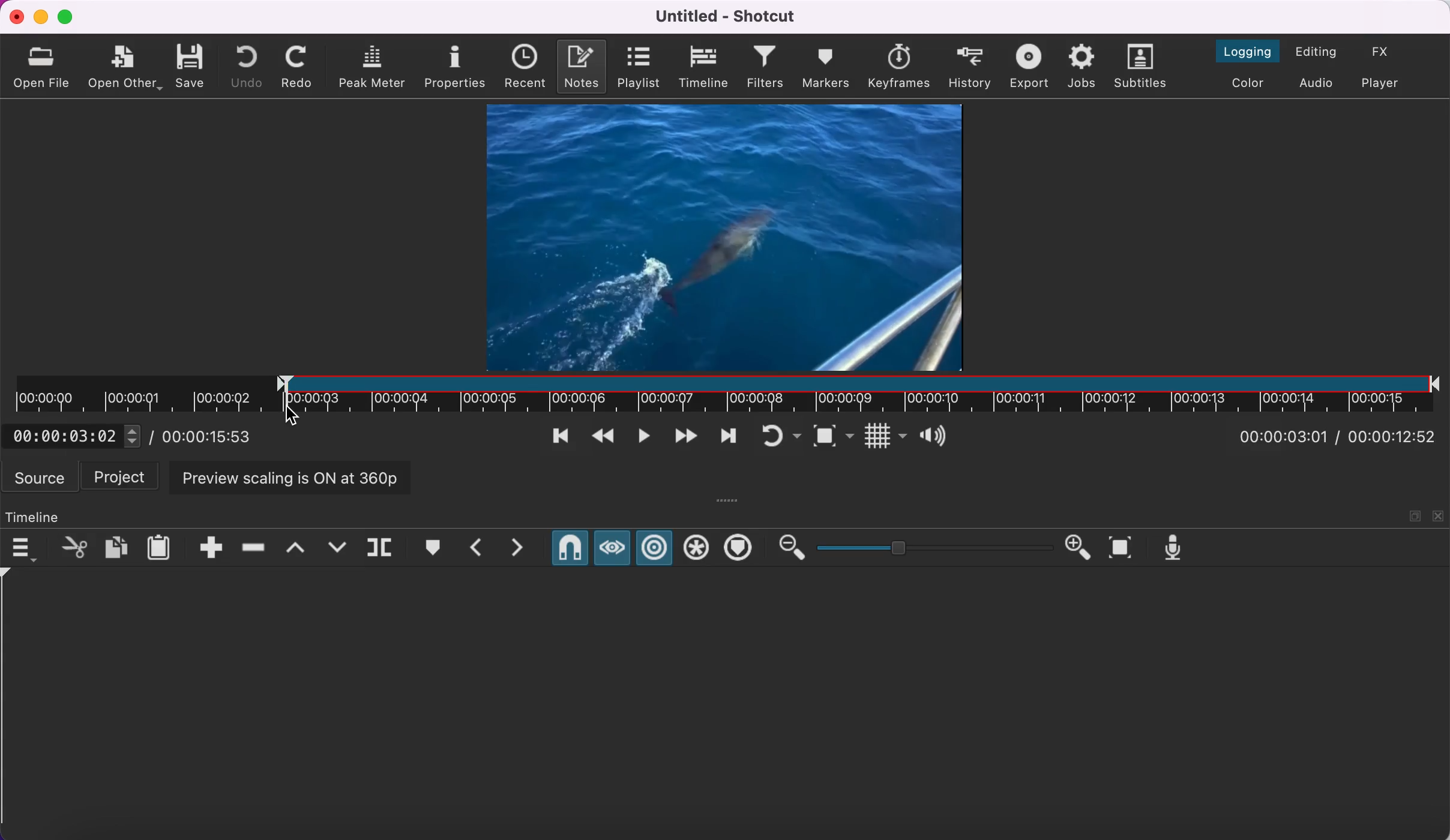 The width and height of the screenshot is (1450, 840). What do you see at coordinates (901, 65) in the screenshot?
I see `keyframes` at bounding box center [901, 65].